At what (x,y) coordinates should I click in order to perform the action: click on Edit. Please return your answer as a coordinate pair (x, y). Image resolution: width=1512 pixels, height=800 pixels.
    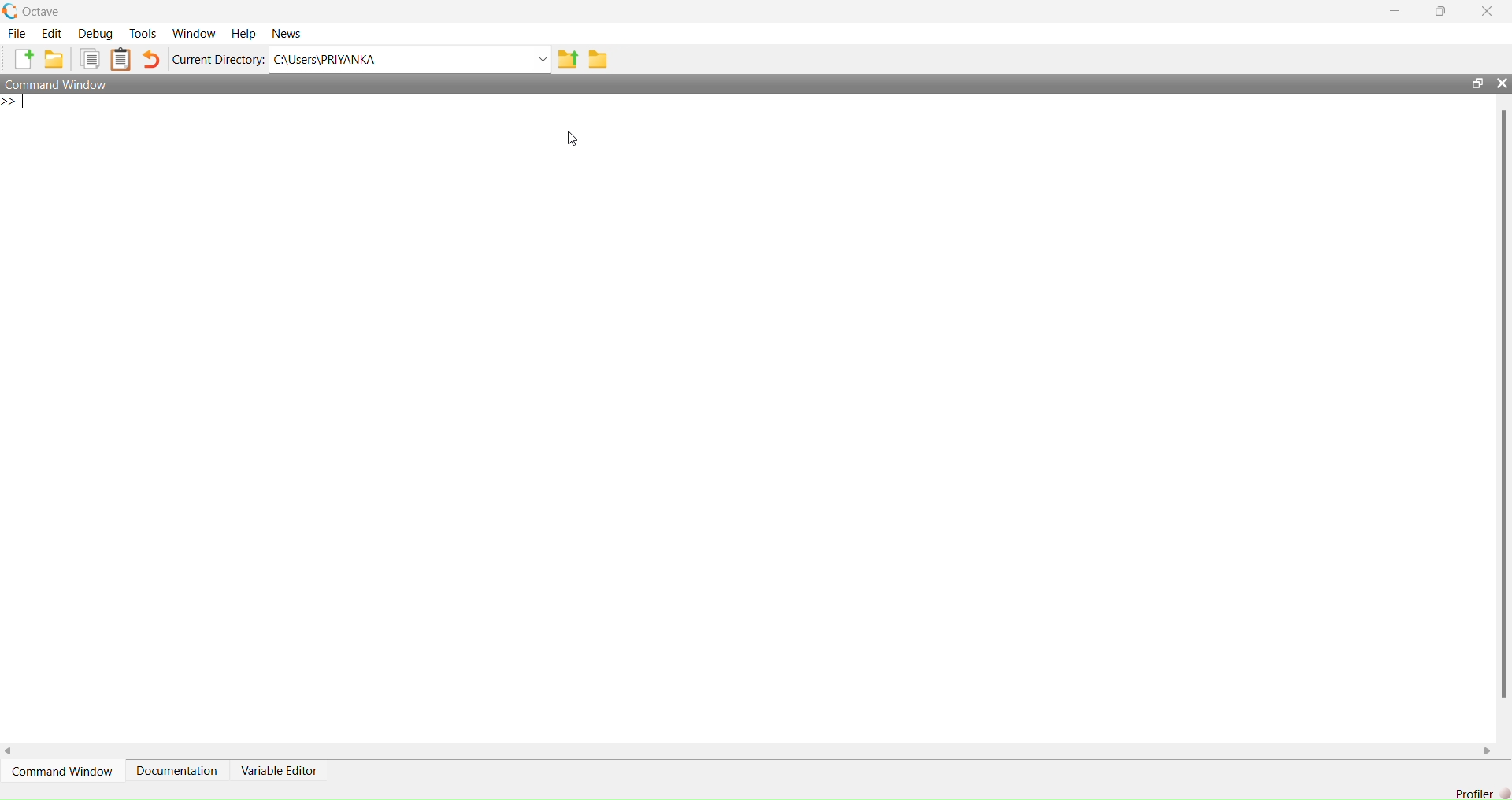
    Looking at the image, I should click on (54, 34).